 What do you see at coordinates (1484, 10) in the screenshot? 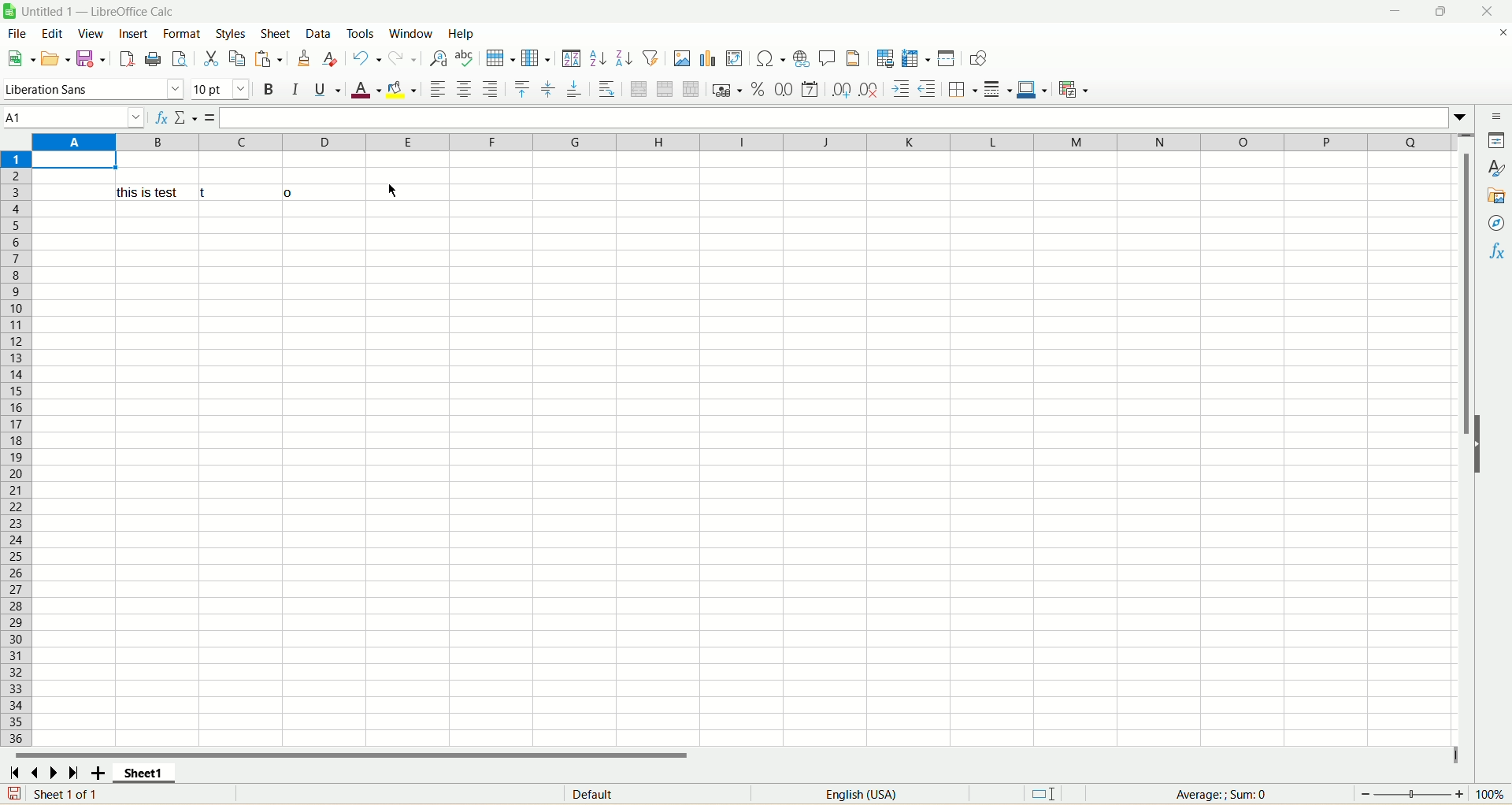
I see `close` at bounding box center [1484, 10].